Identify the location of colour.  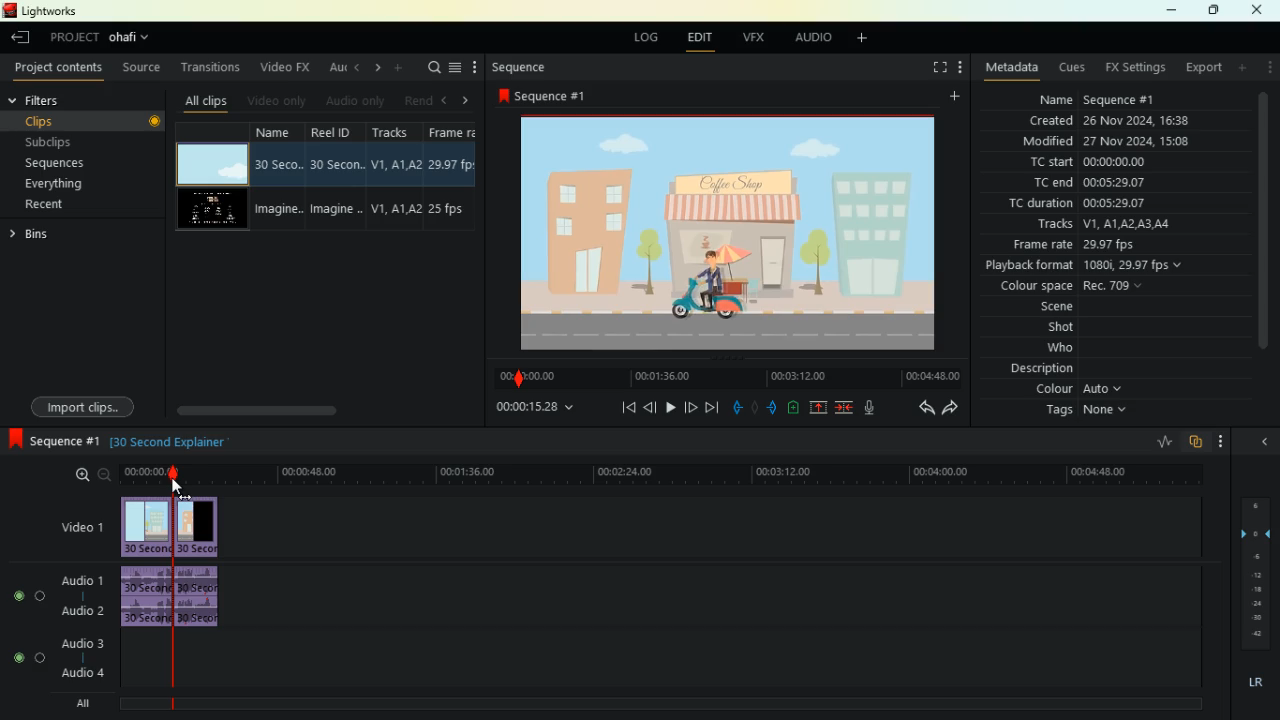
(1075, 388).